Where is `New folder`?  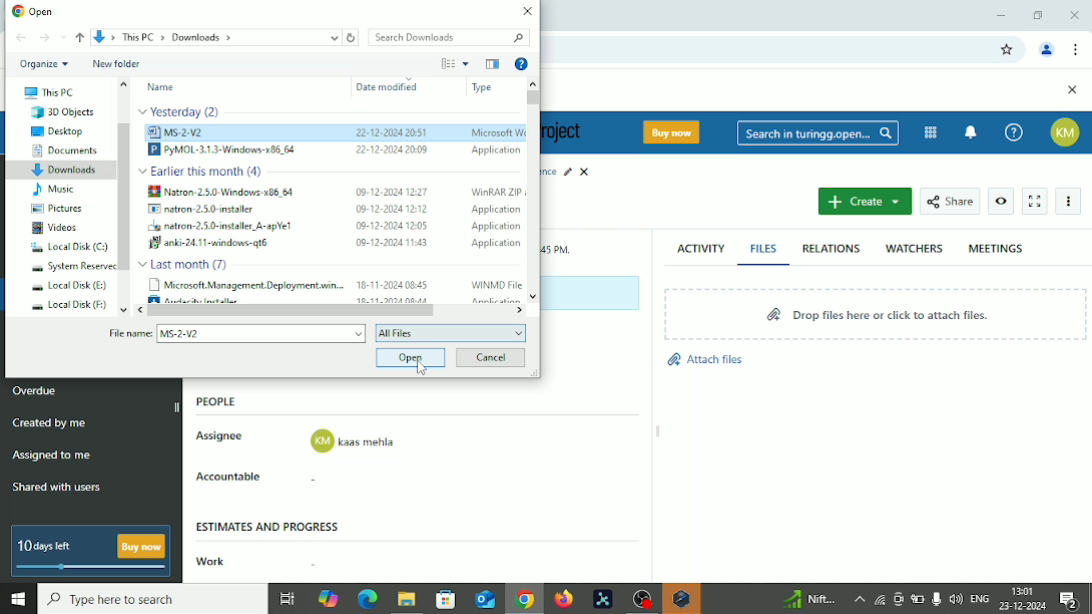
New folder is located at coordinates (116, 64).